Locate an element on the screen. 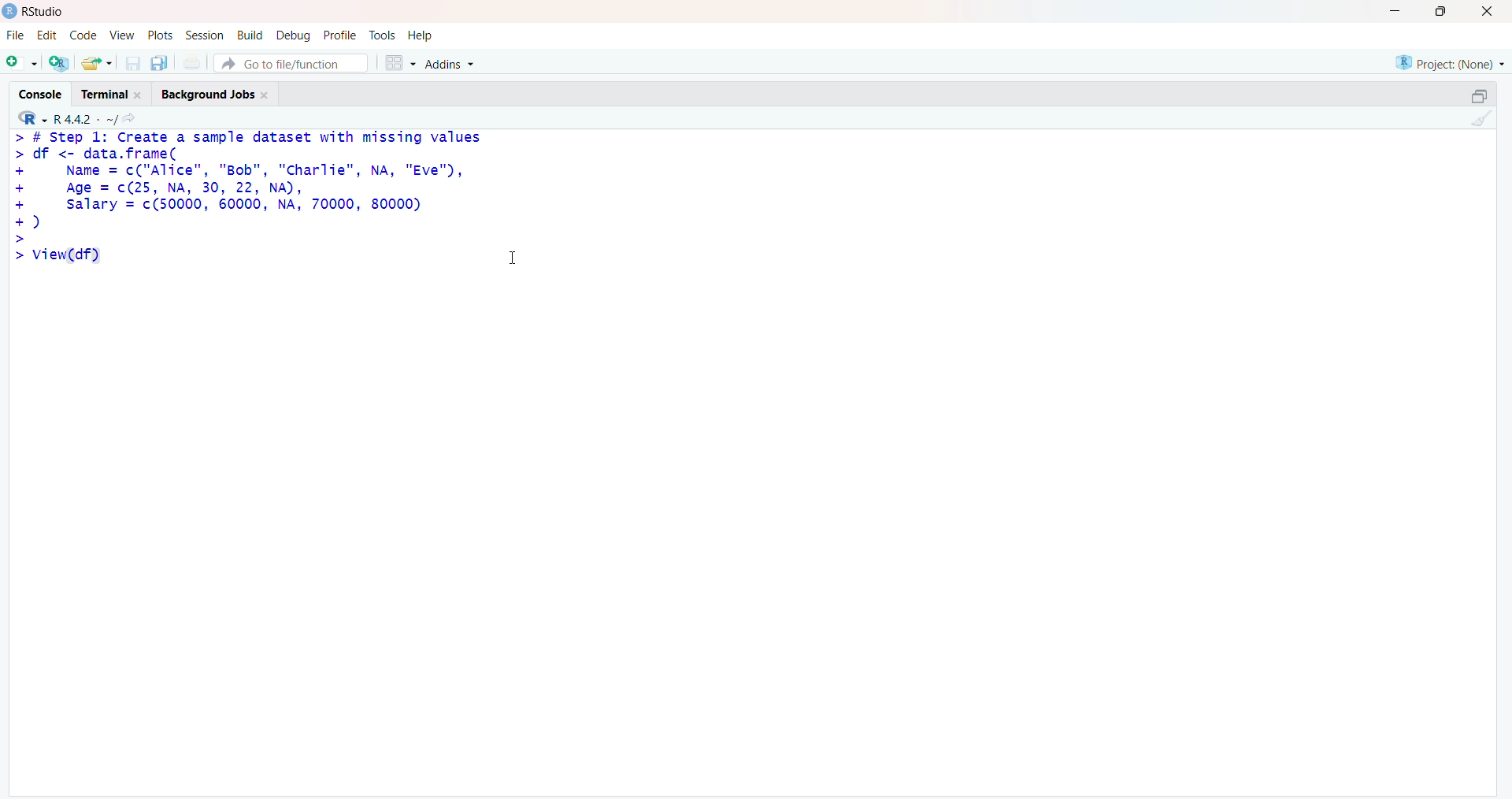 The image size is (1512, 799). New File is located at coordinates (21, 63).